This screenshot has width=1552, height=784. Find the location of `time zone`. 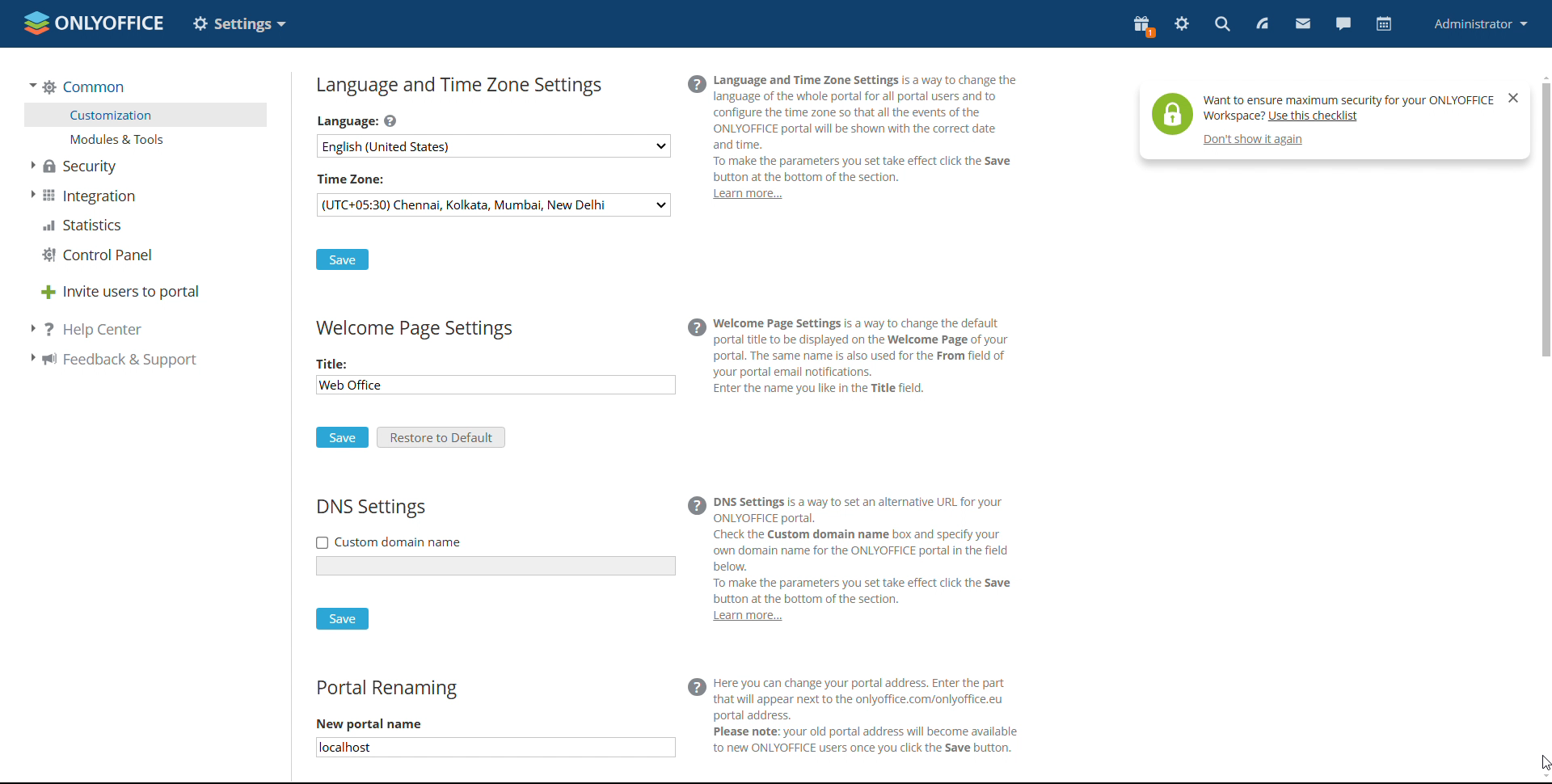

time zone is located at coordinates (353, 177).